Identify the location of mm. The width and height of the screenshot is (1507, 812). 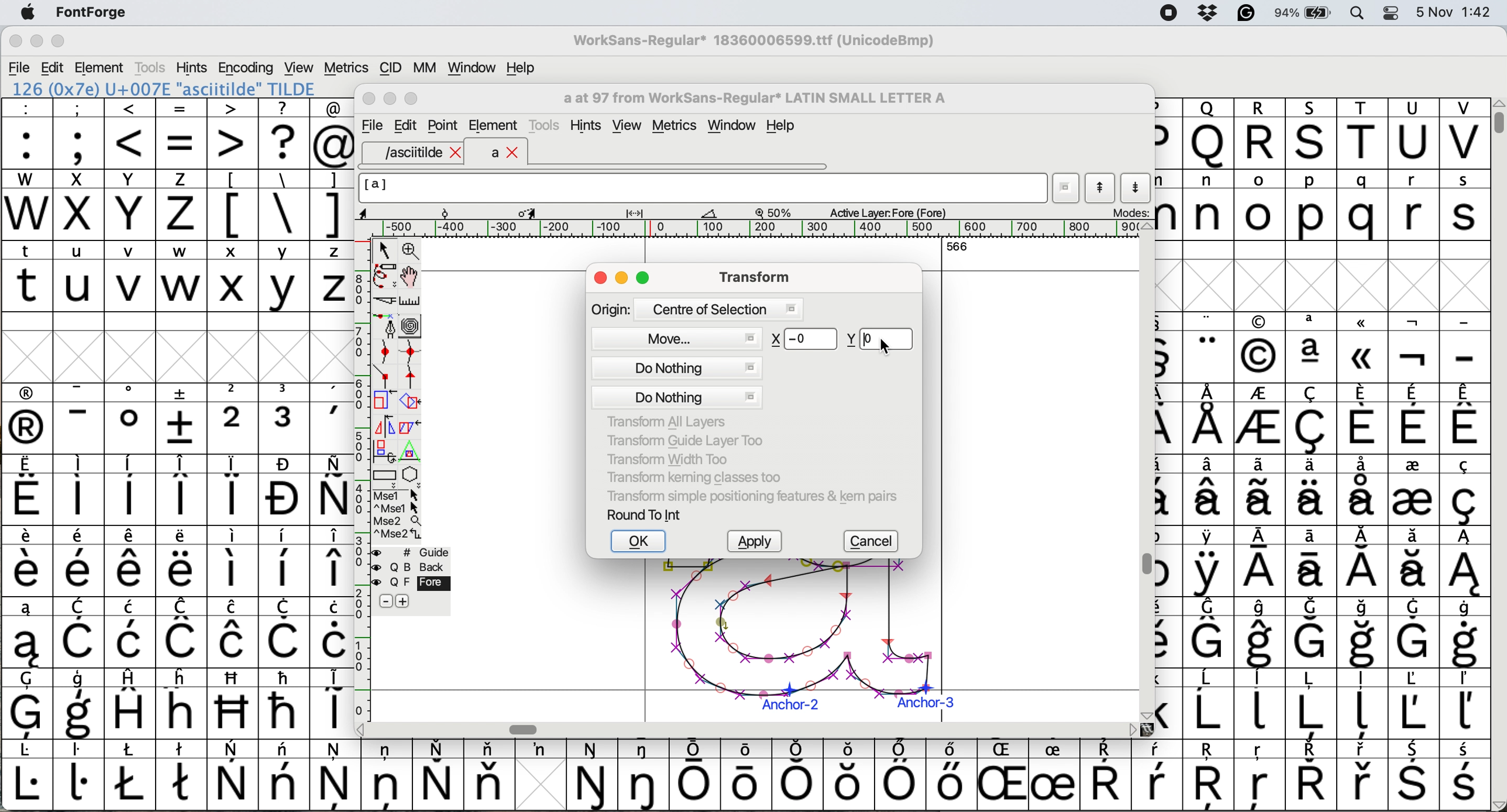
(424, 67).